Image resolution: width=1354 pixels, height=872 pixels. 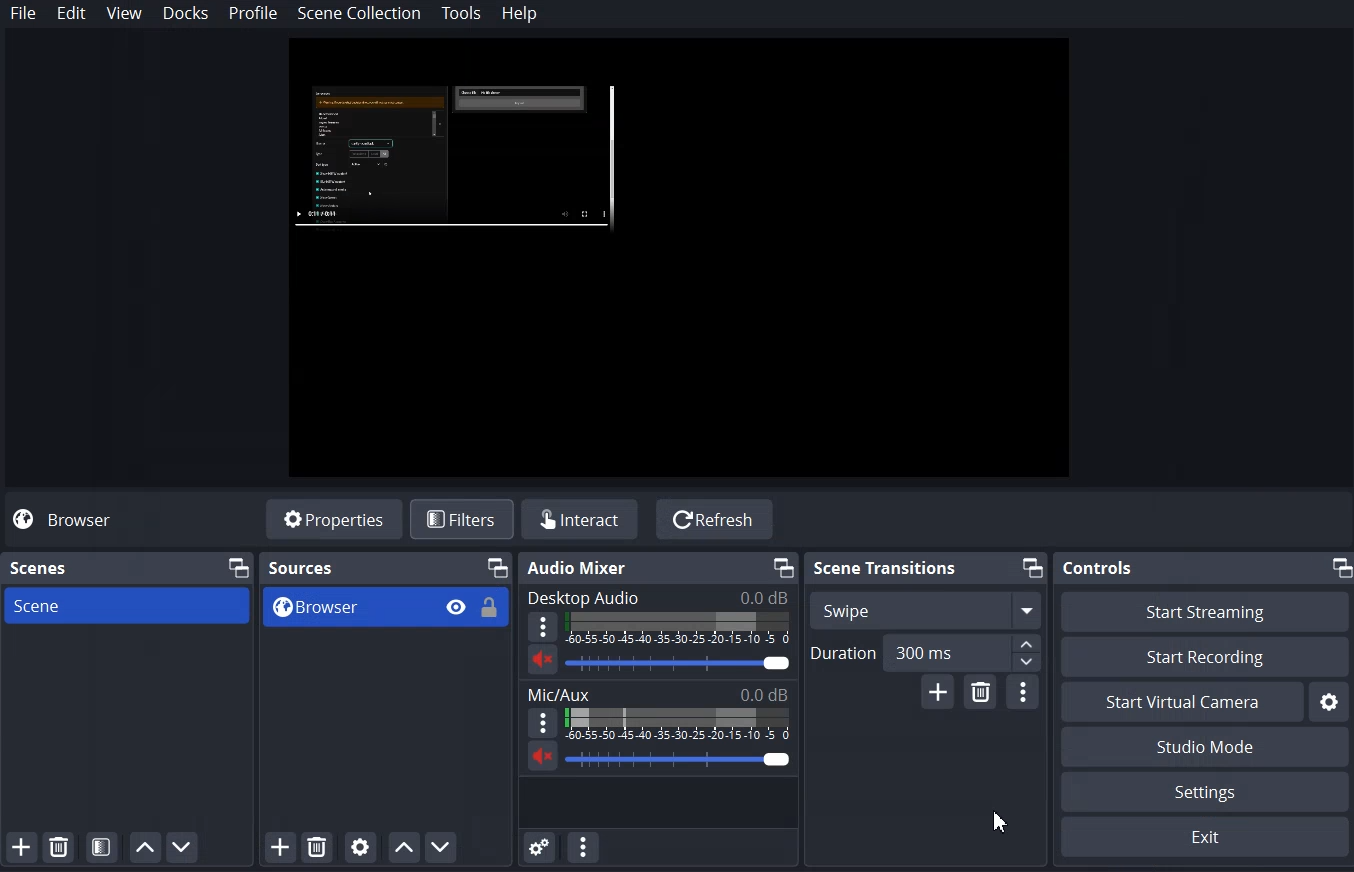 What do you see at coordinates (715, 519) in the screenshot?
I see `Refresh` at bounding box center [715, 519].